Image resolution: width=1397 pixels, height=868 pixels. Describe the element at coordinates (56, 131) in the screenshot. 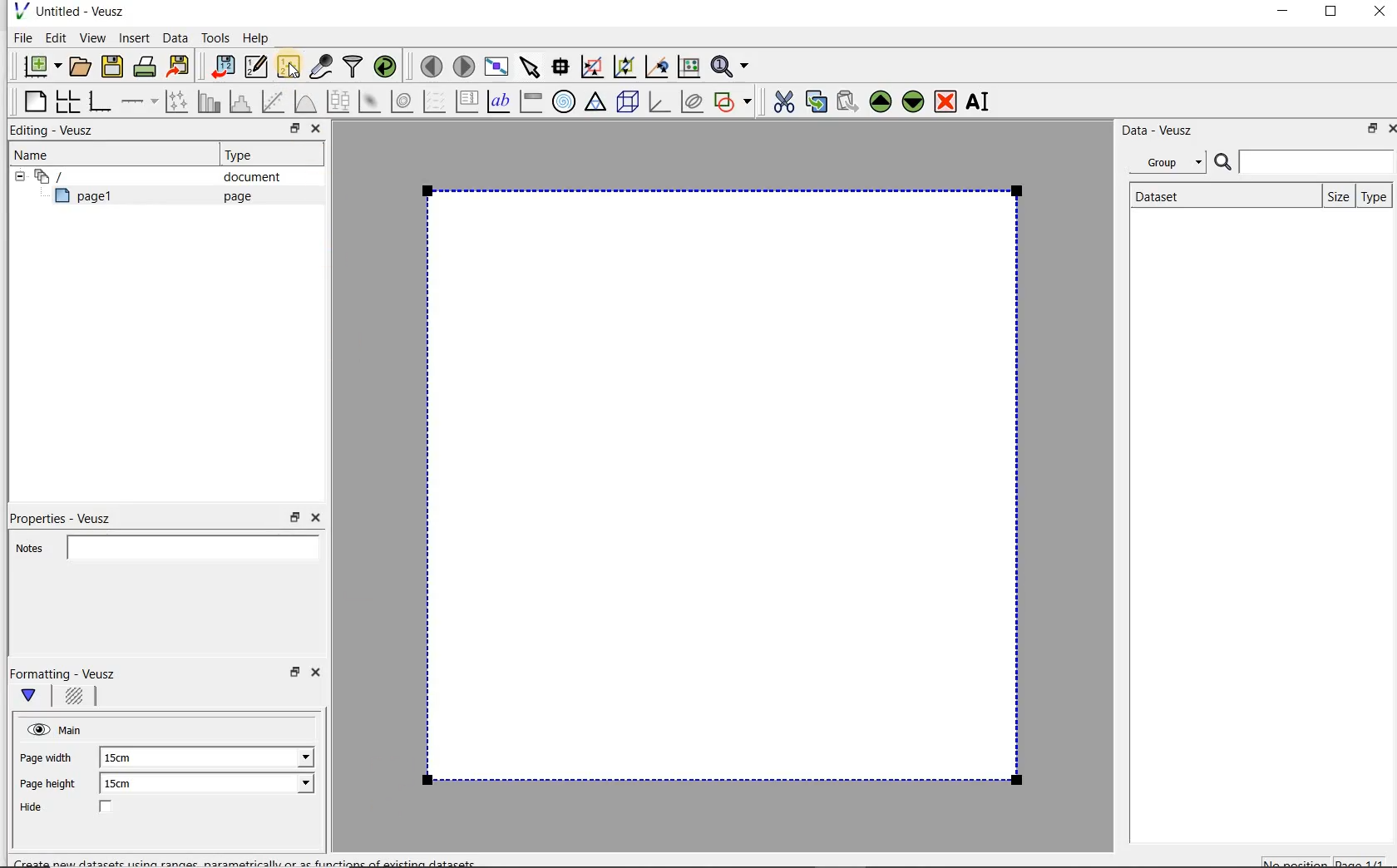

I see `Editing - Veusz` at that location.